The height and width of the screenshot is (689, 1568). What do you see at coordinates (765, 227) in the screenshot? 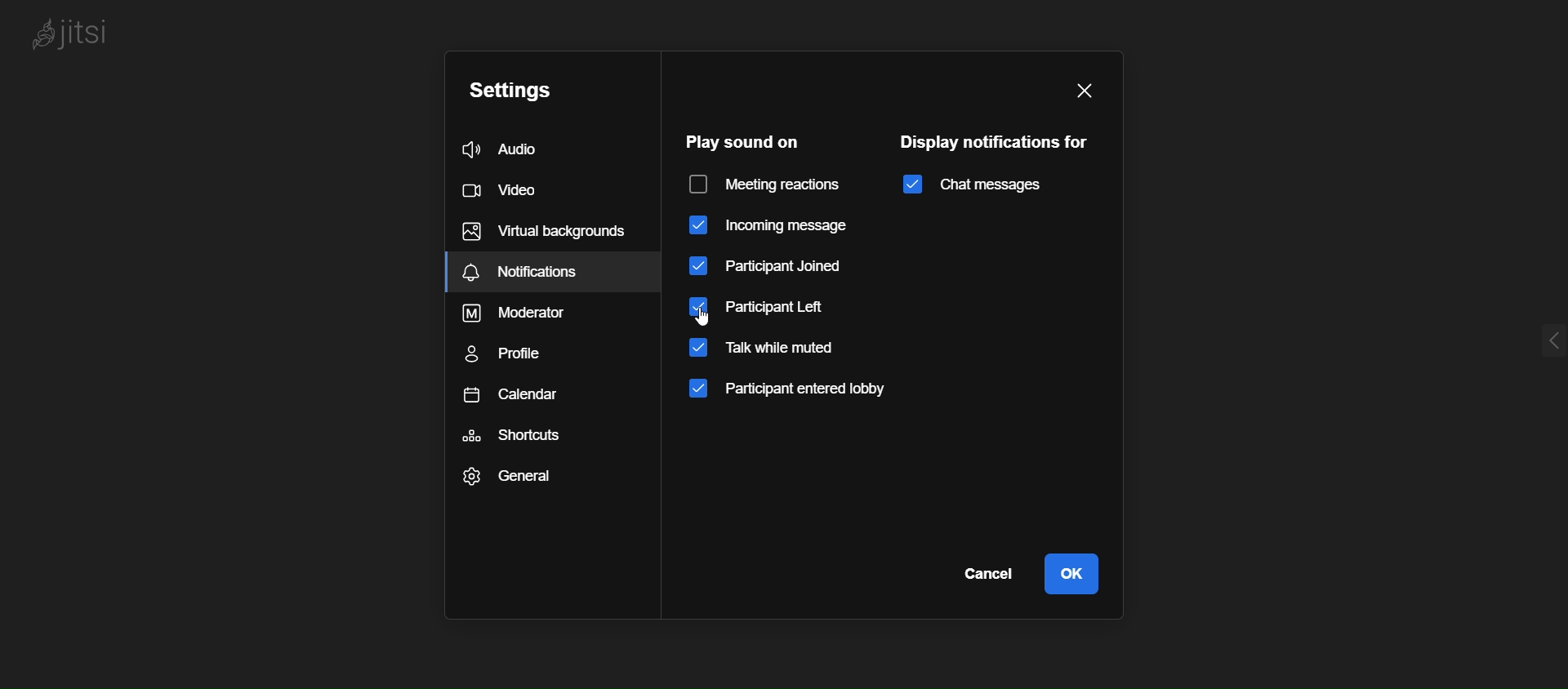
I see `incoming message` at bounding box center [765, 227].